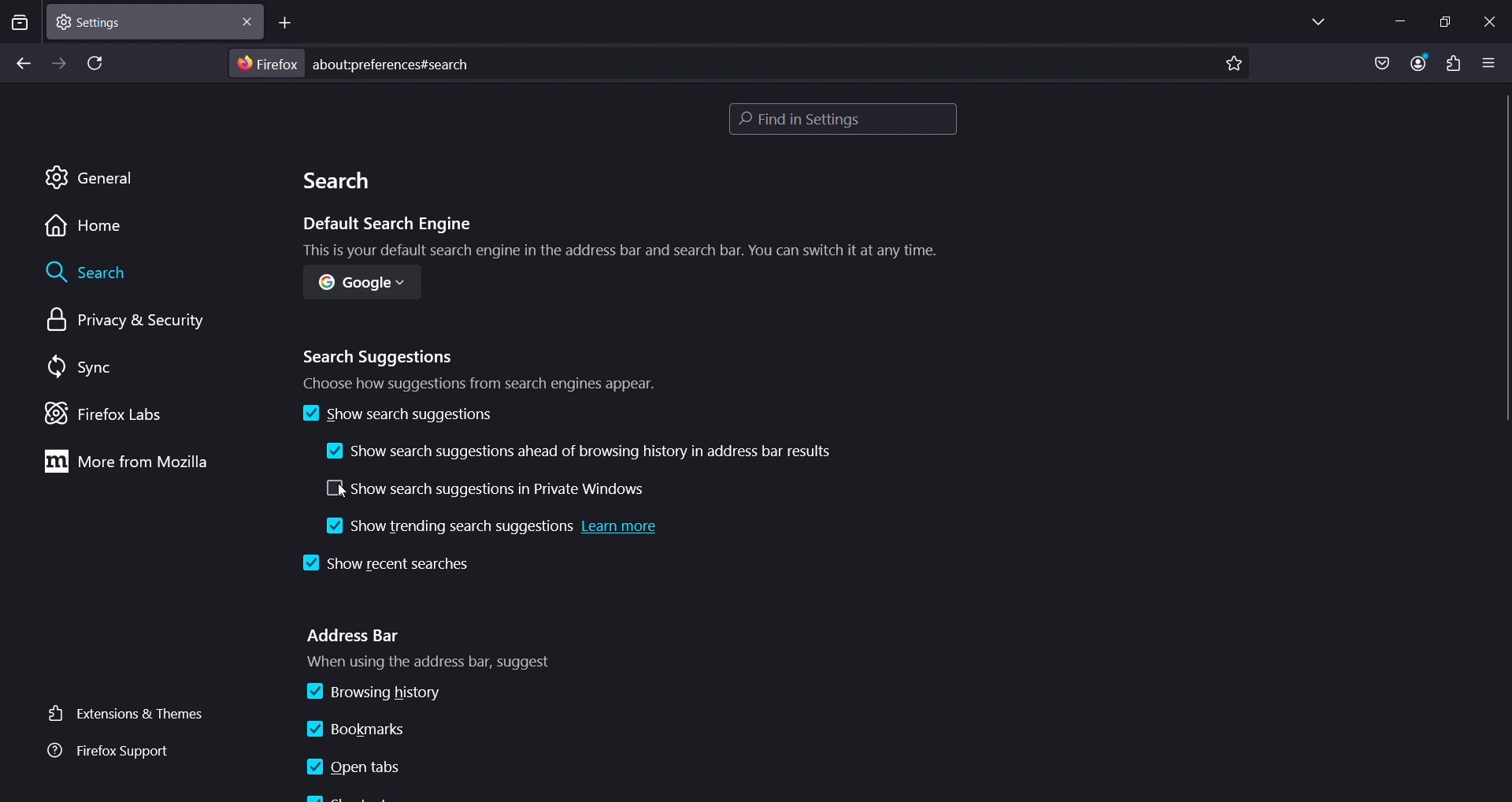 The height and width of the screenshot is (802, 1512). Describe the element at coordinates (1492, 61) in the screenshot. I see `open application menu` at that location.